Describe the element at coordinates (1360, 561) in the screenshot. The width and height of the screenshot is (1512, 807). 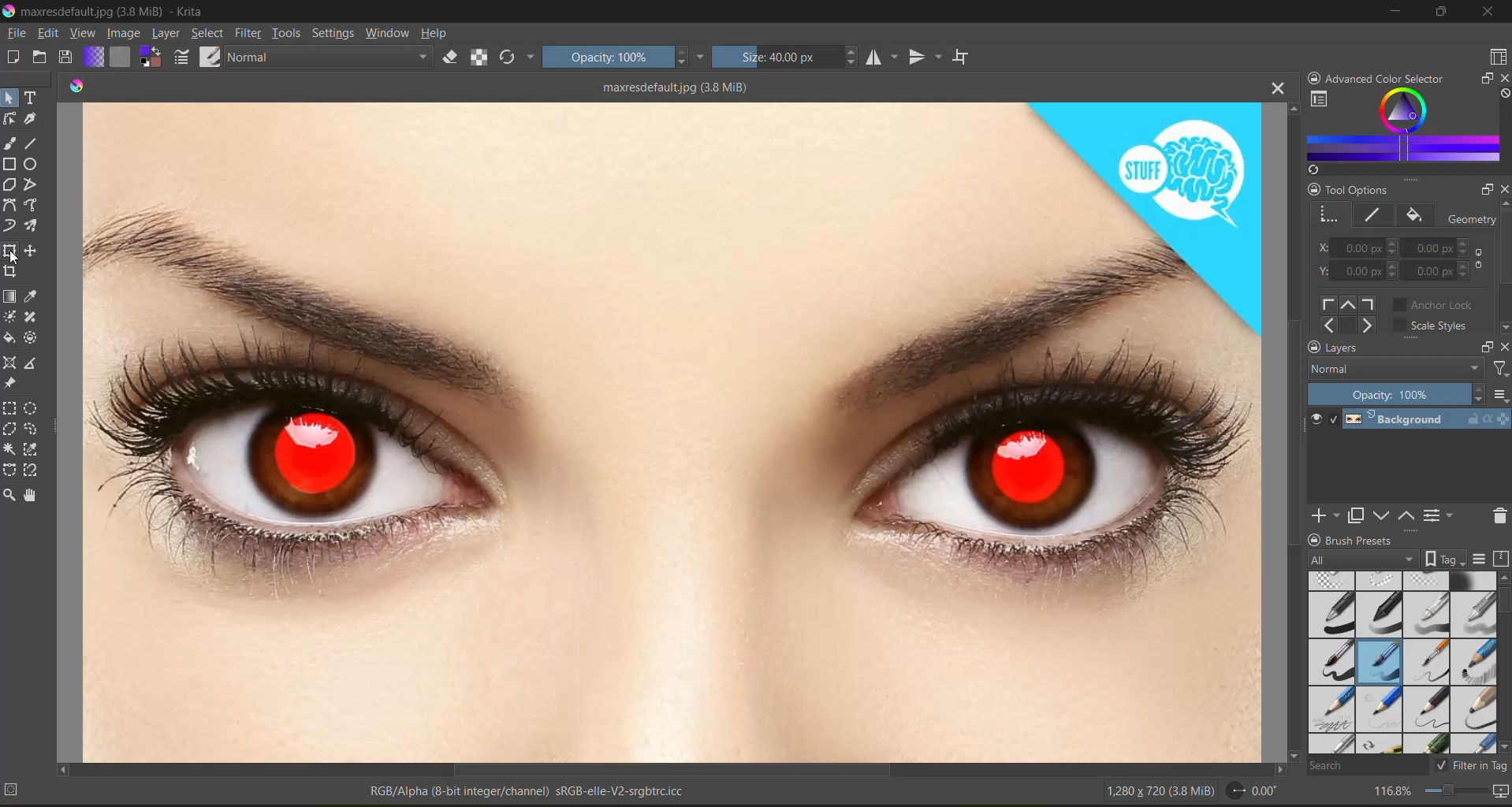
I see `tag` at that location.